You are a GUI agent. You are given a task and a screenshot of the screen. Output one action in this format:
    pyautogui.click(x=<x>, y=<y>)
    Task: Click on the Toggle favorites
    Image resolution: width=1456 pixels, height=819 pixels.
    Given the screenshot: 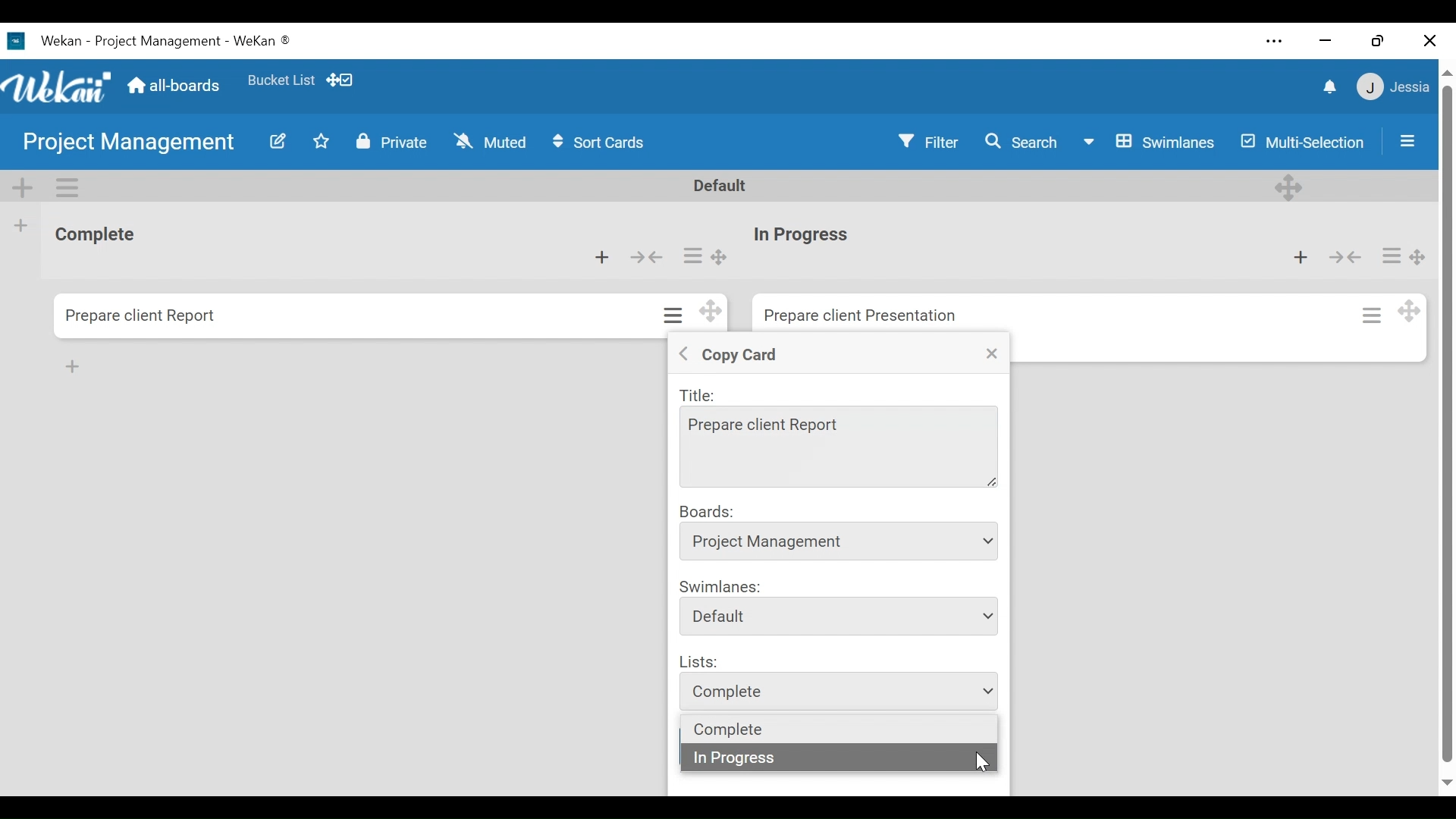 What is the action you would take?
    pyautogui.click(x=322, y=142)
    